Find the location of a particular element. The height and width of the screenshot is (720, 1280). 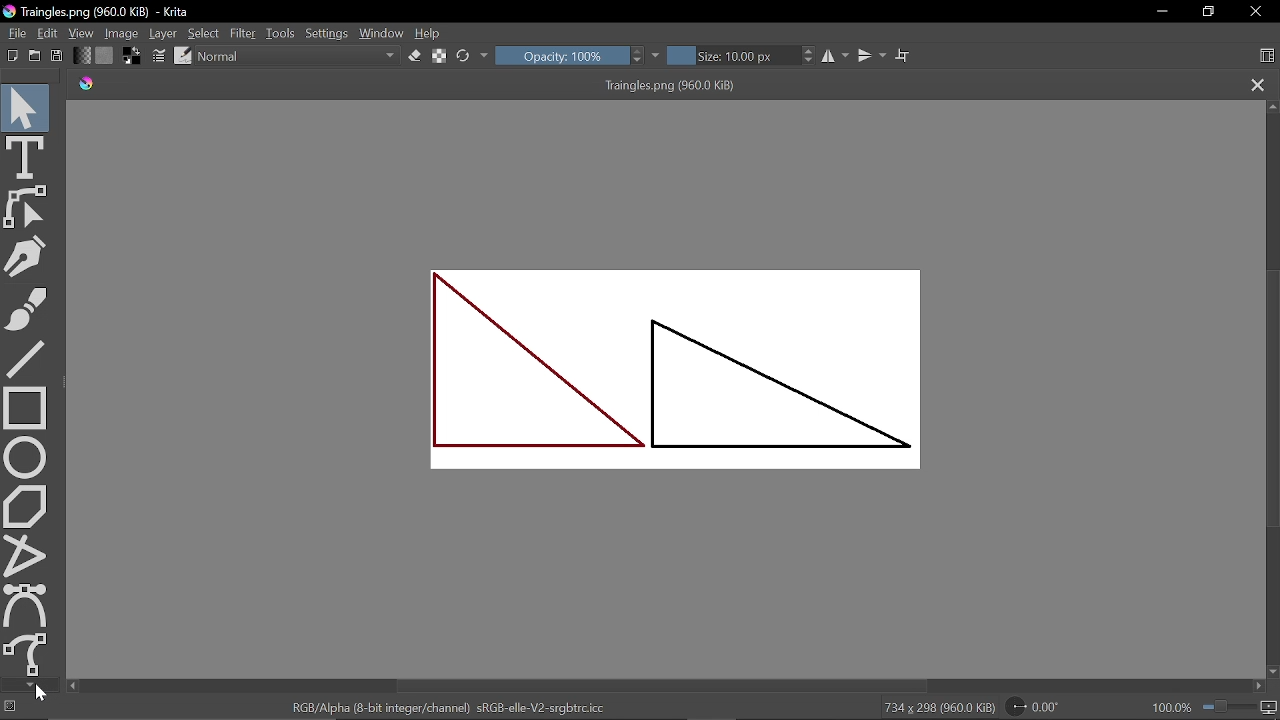

Edit brush settings is located at coordinates (160, 57).